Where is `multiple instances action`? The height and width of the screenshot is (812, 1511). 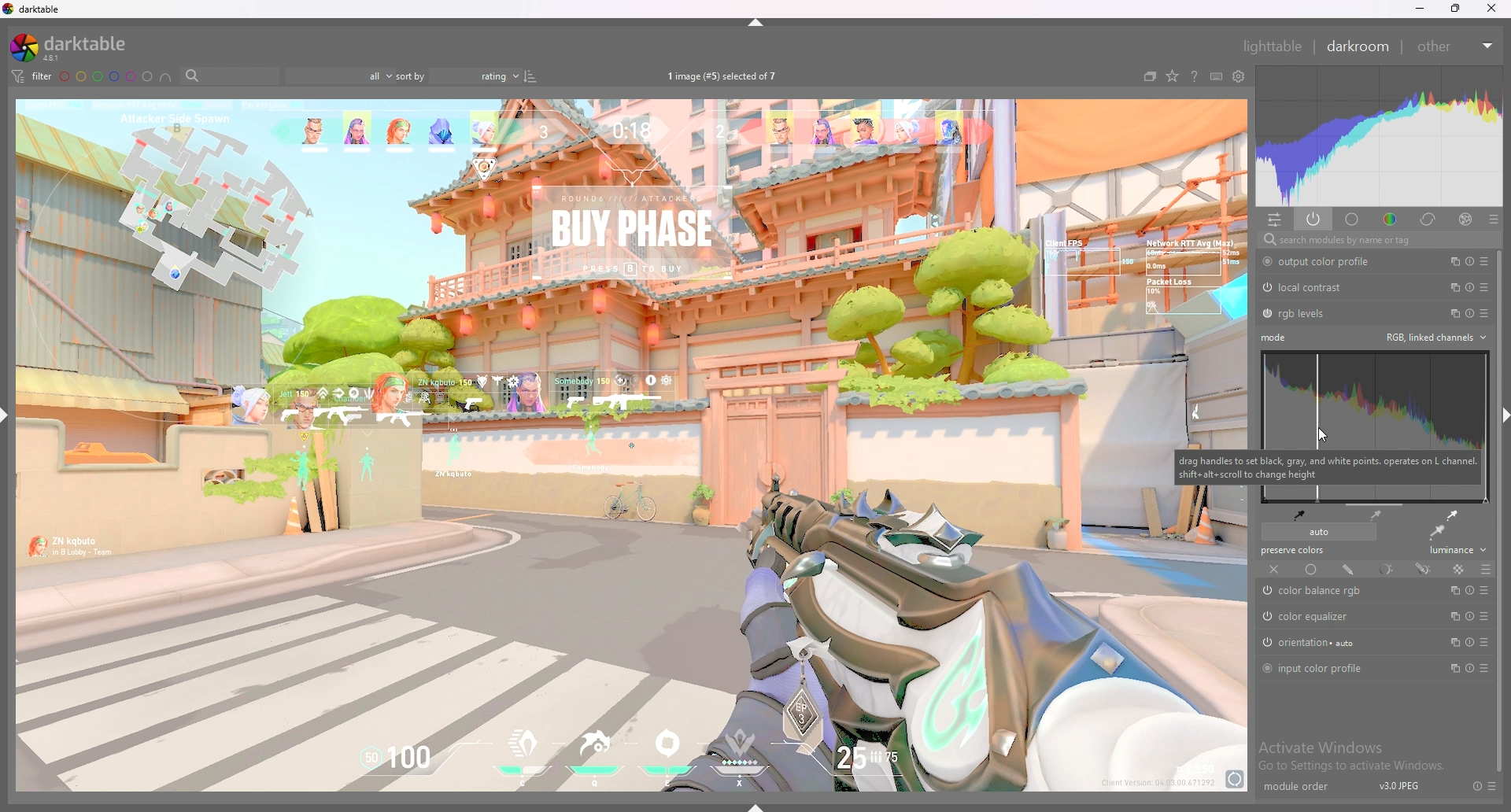
multiple instances action is located at coordinates (1453, 643).